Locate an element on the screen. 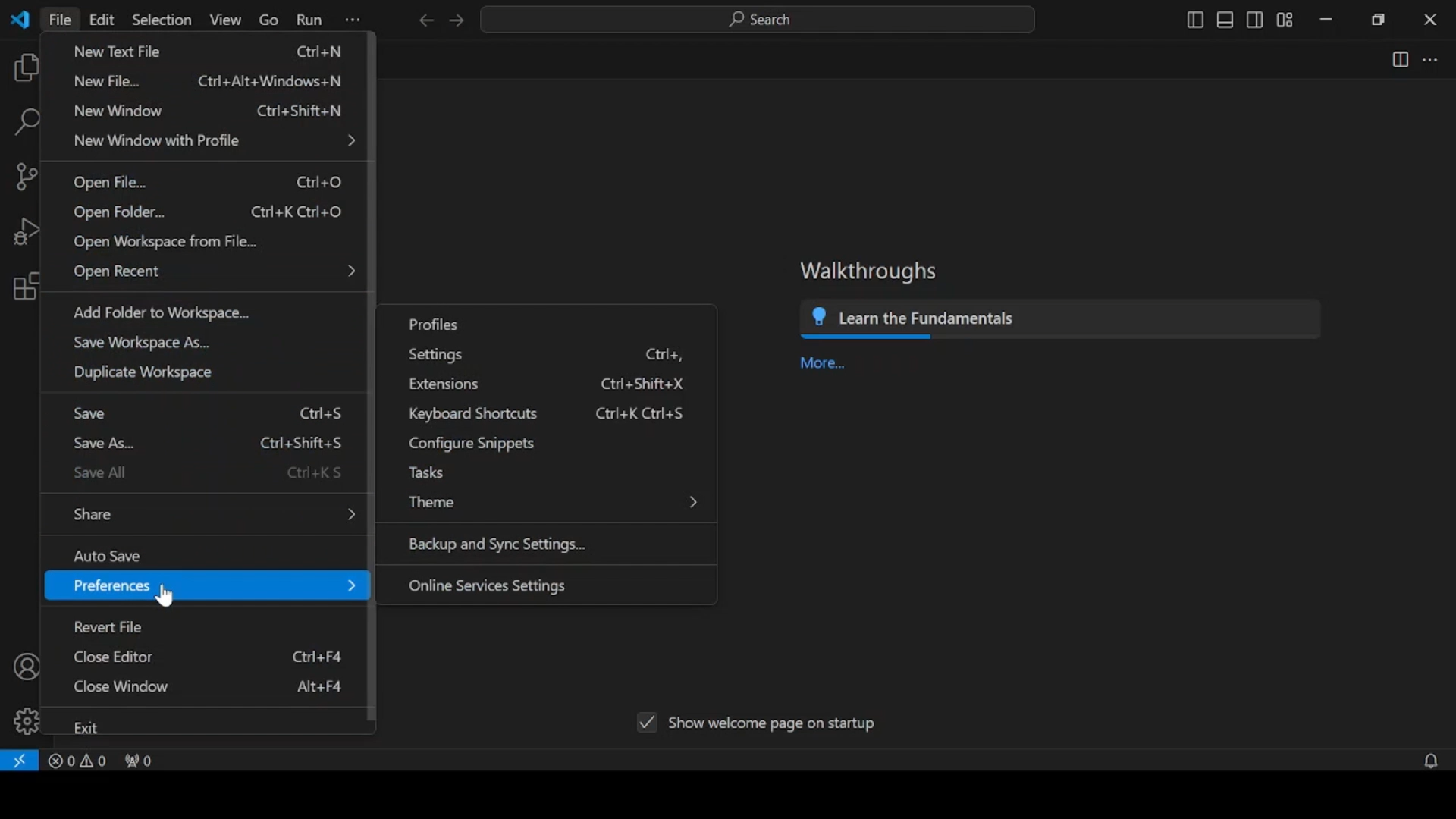  close window is located at coordinates (123, 686).